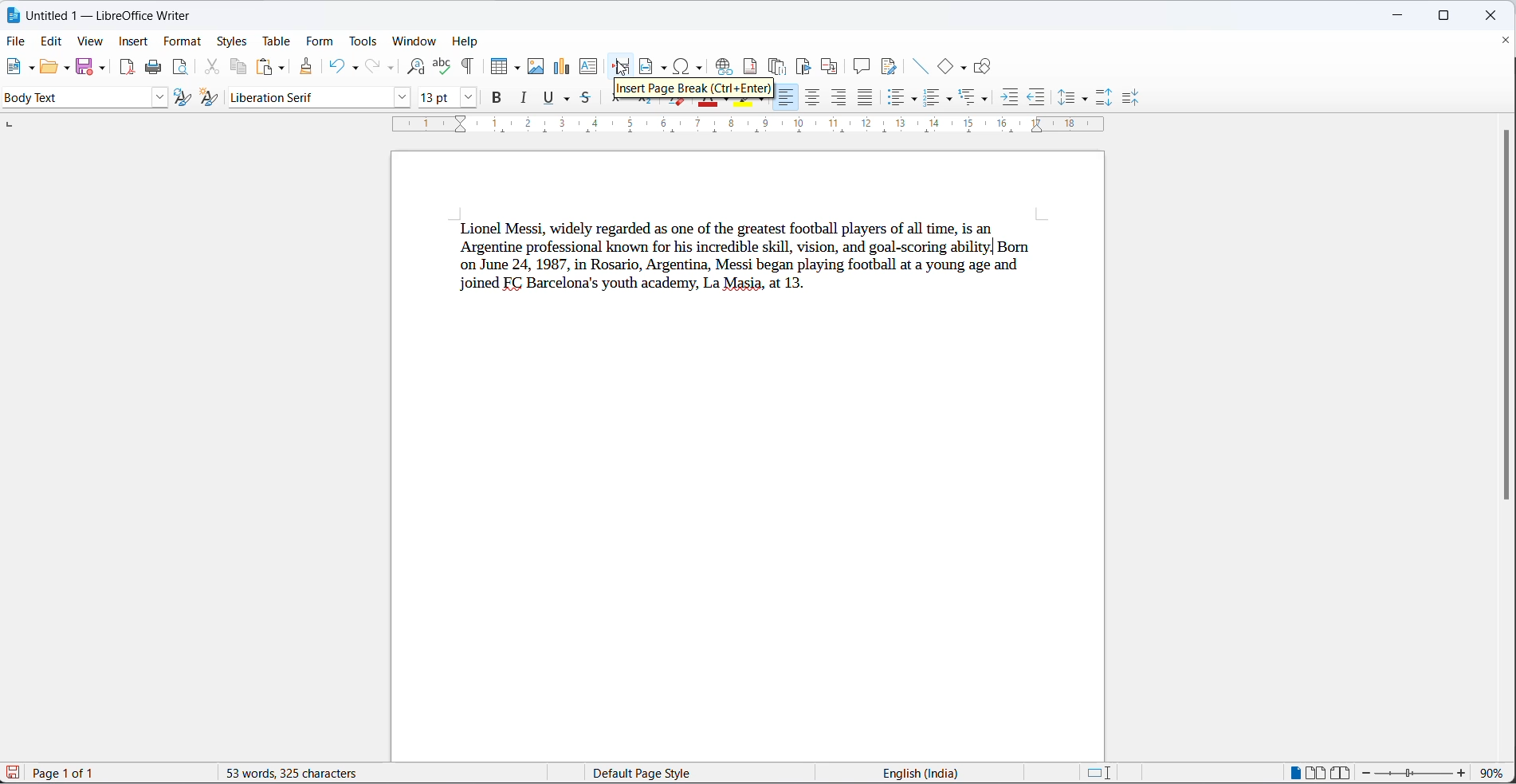 Image resolution: width=1516 pixels, height=784 pixels. Describe the element at coordinates (73, 98) in the screenshot. I see `style options` at that location.